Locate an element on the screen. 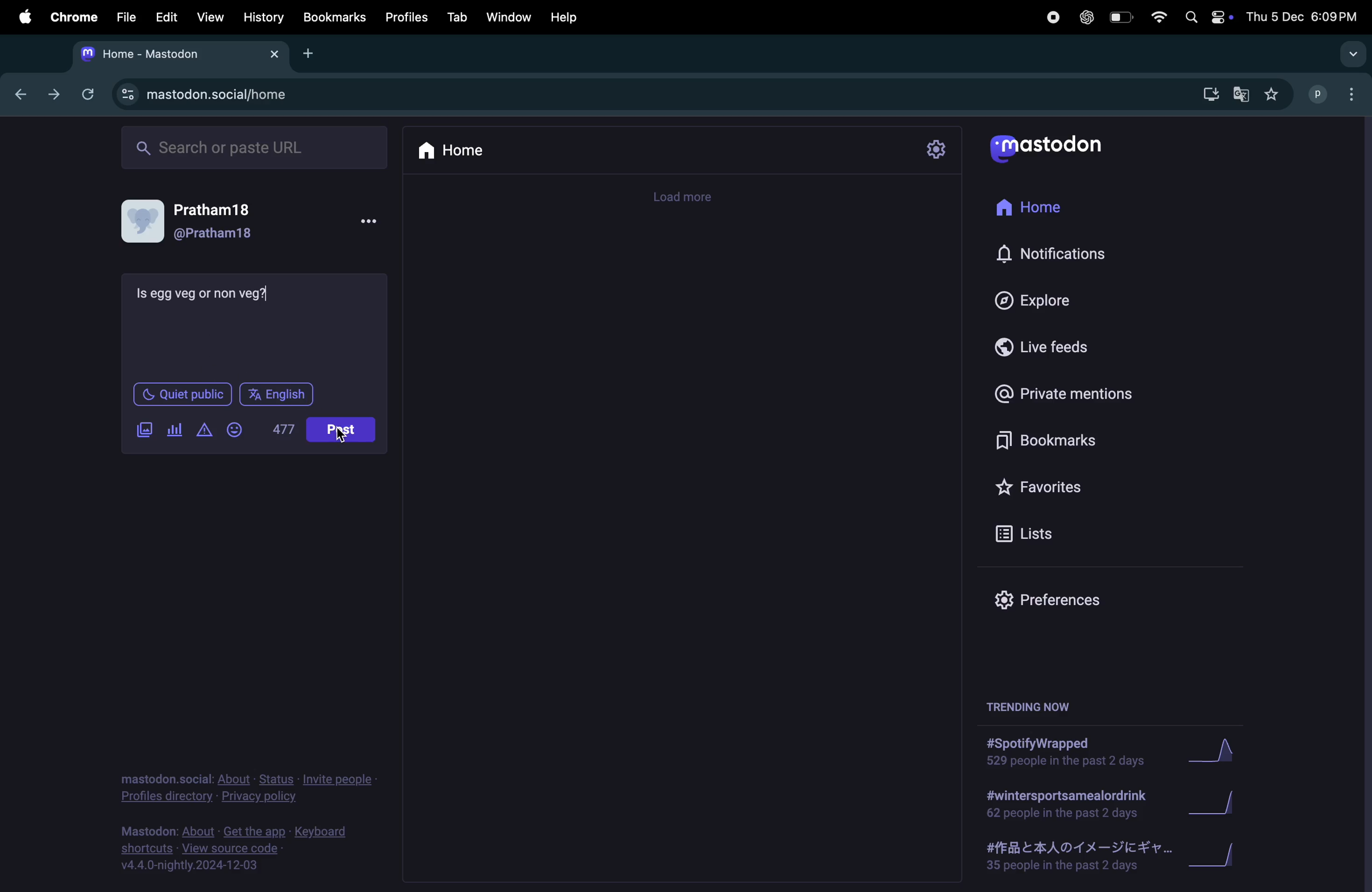 This screenshot has width=1372, height=892. Live feeds is located at coordinates (1046, 346).